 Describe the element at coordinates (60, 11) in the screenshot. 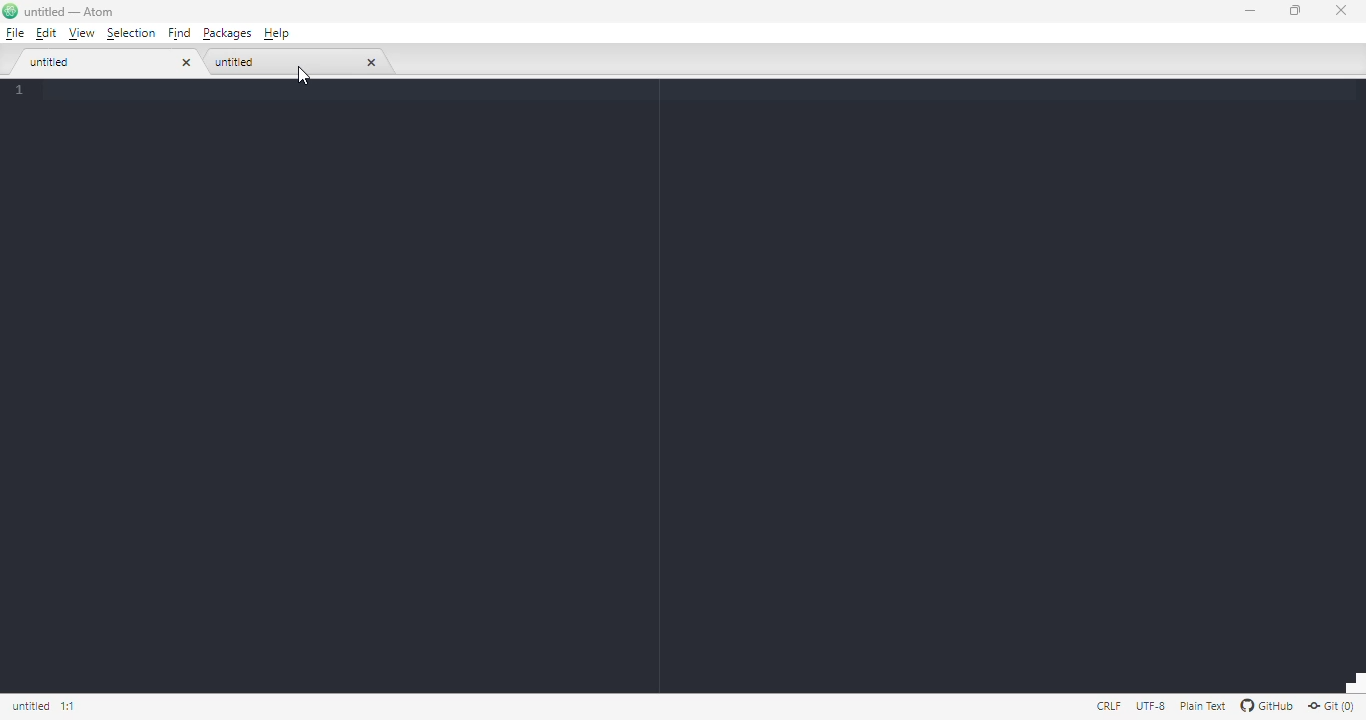

I see `untitled — Atom` at that location.